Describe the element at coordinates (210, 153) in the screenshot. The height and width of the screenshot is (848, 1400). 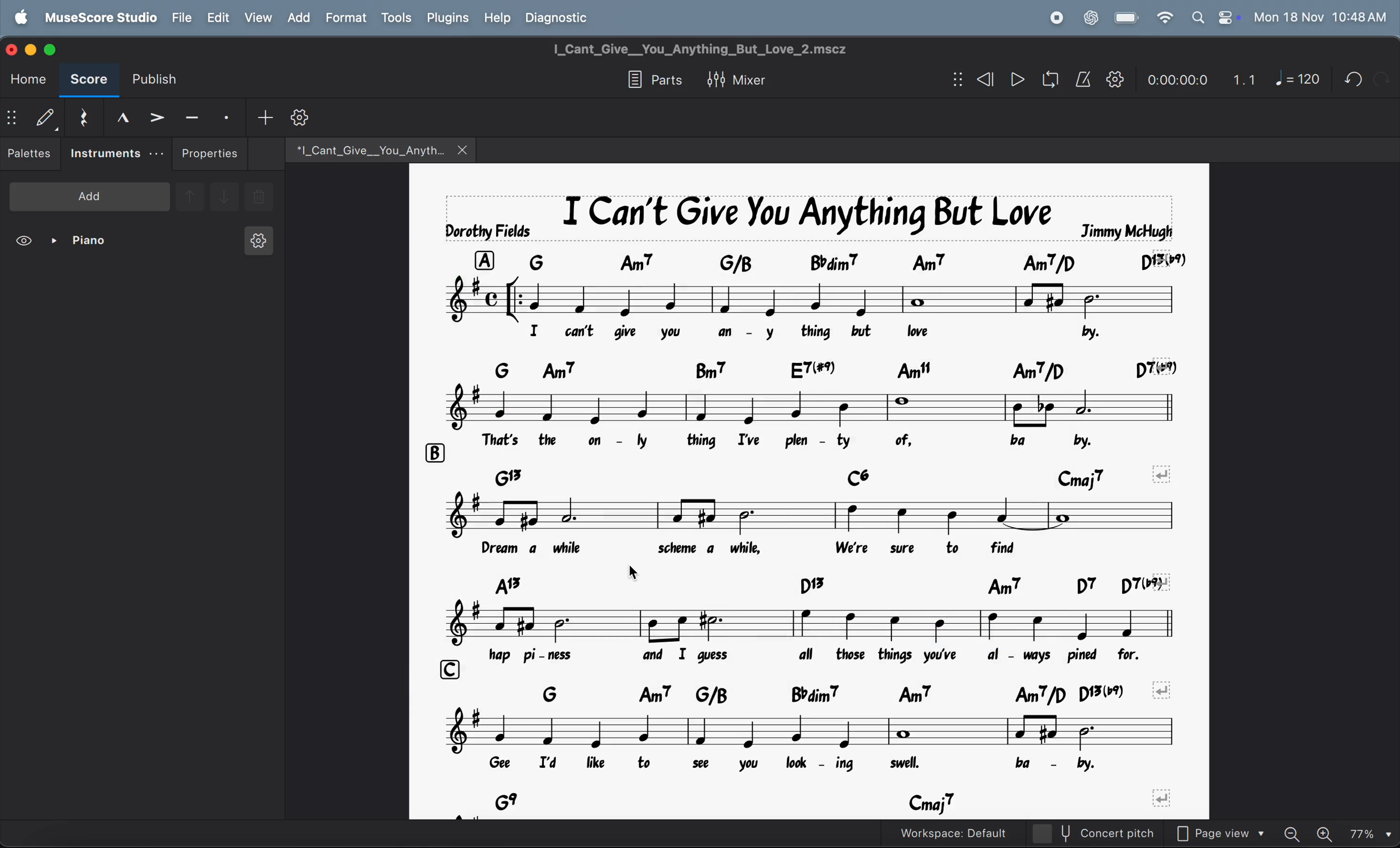
I see `properties` at that location.